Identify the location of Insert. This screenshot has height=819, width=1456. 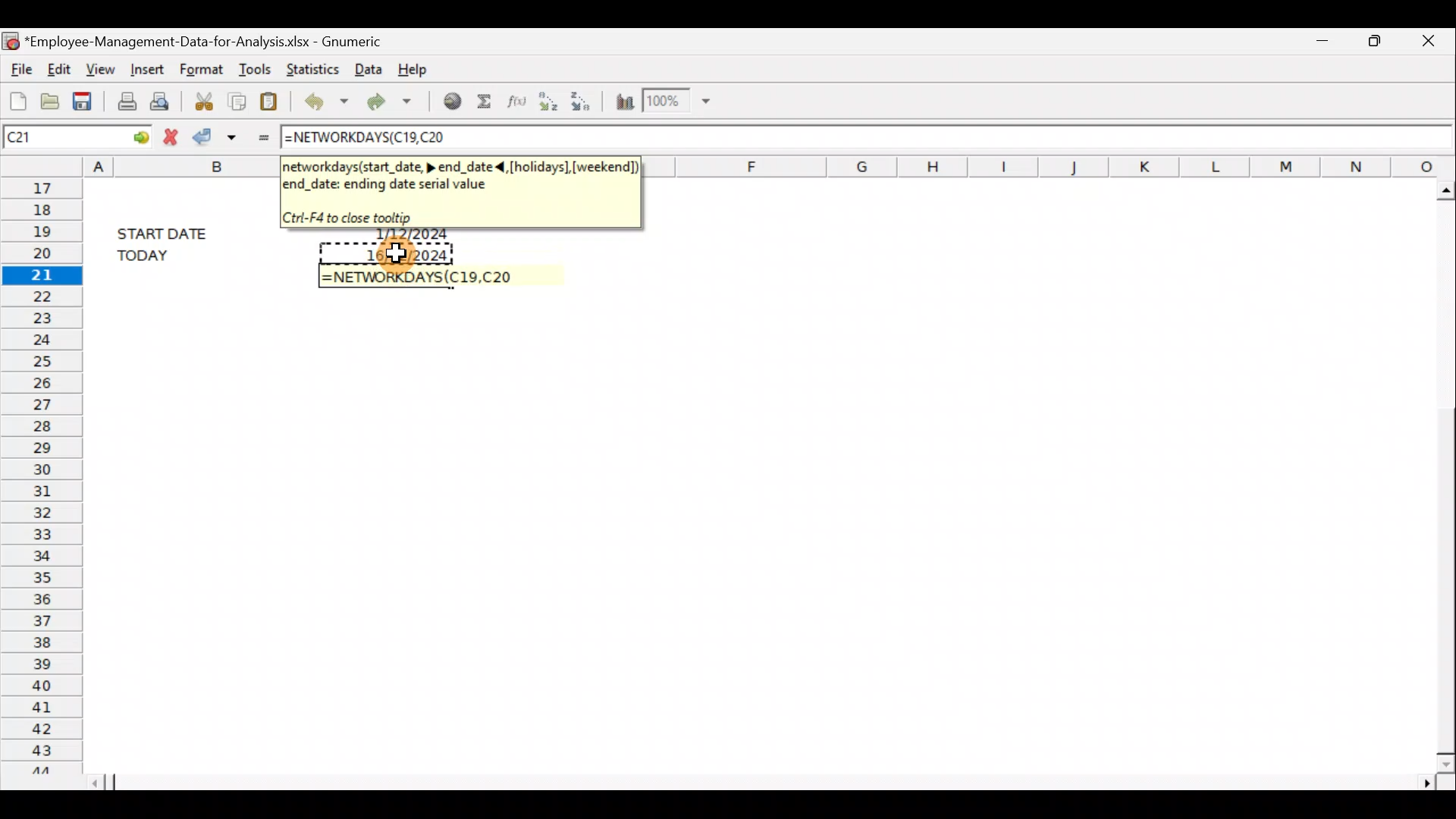
(146, 70).